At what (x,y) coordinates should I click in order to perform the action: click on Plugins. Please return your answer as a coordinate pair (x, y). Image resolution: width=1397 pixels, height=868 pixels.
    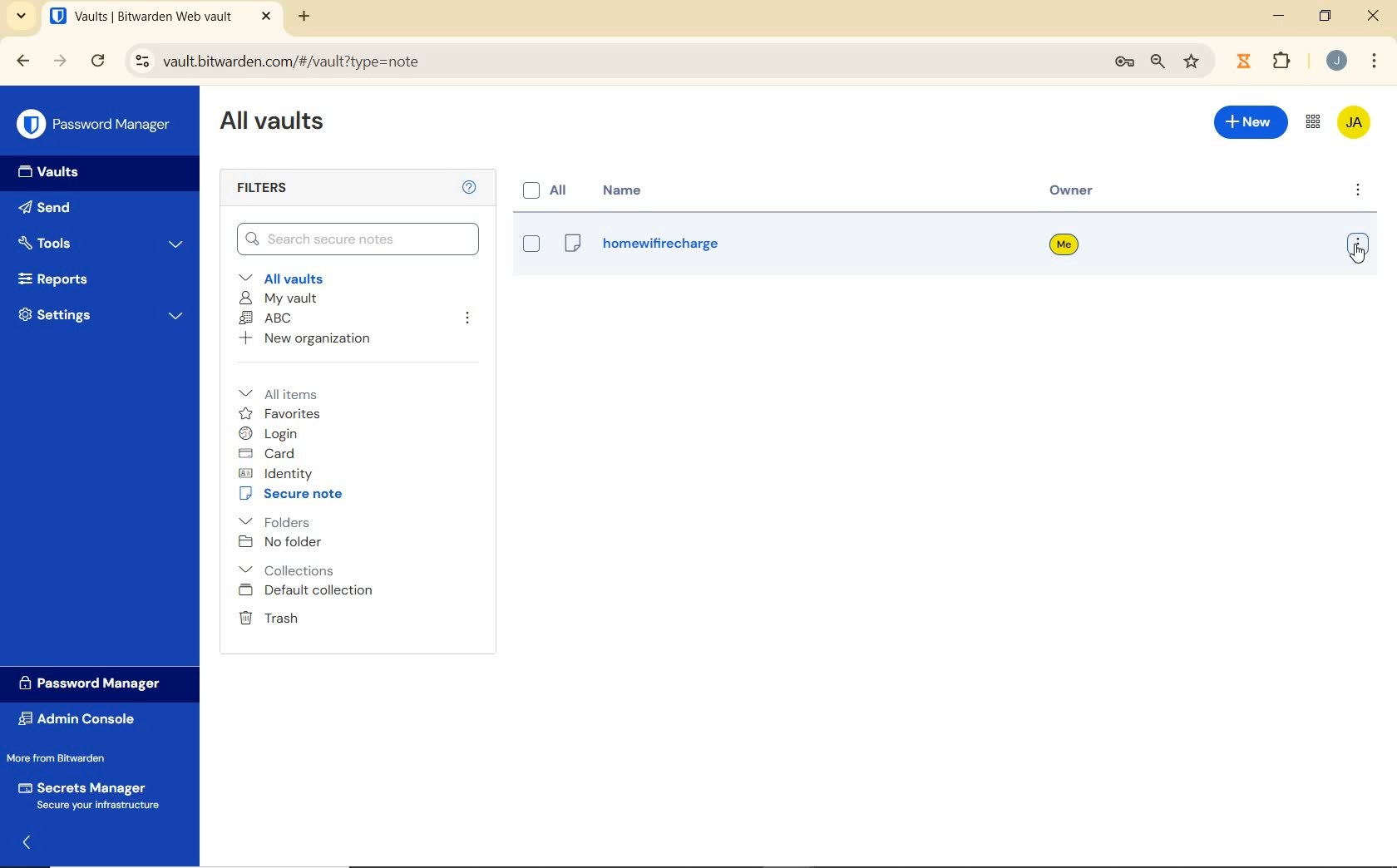
    Looking at the image, I should click on (1285, 59).